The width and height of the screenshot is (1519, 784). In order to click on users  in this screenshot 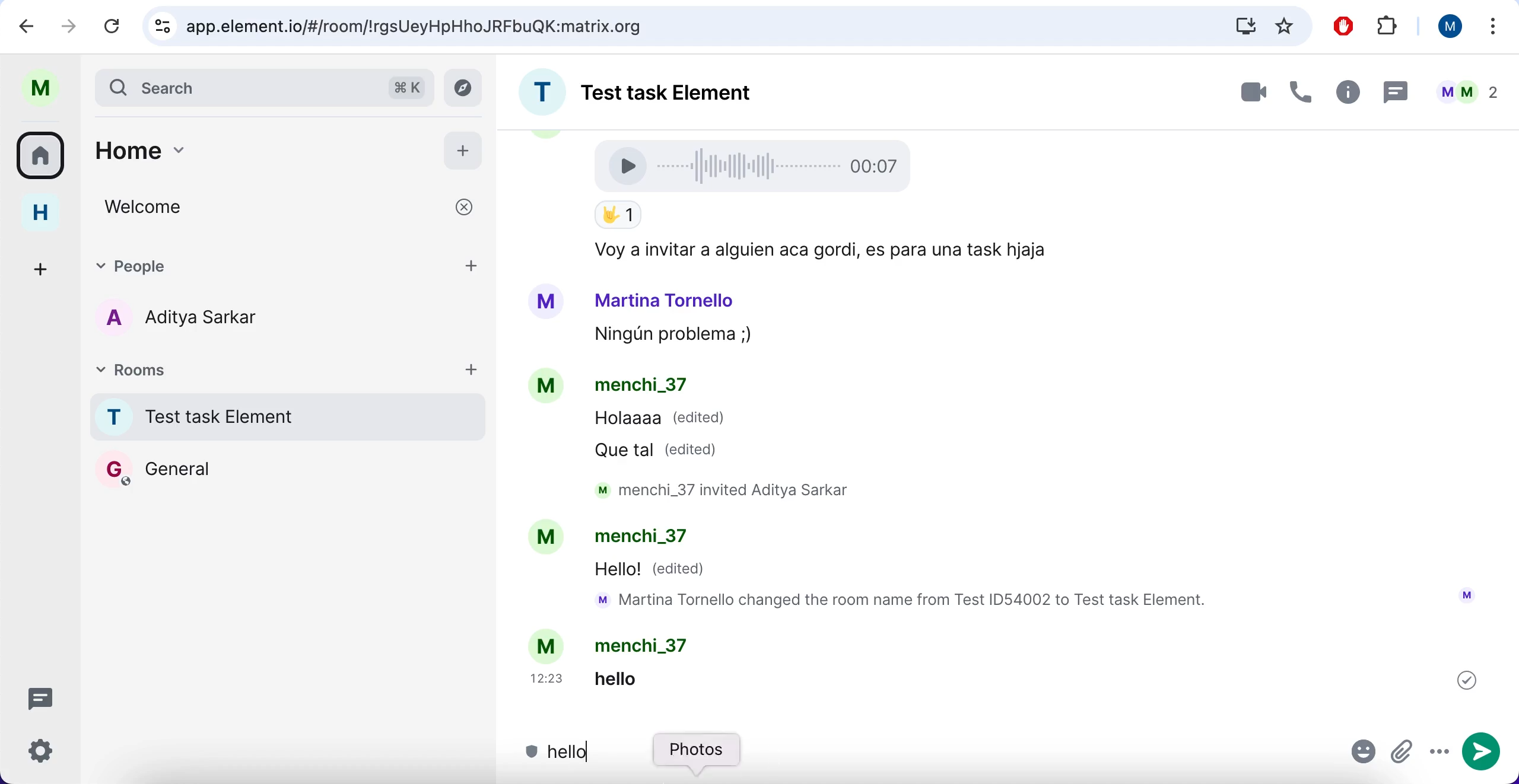, I will do `click(198, 320)`.